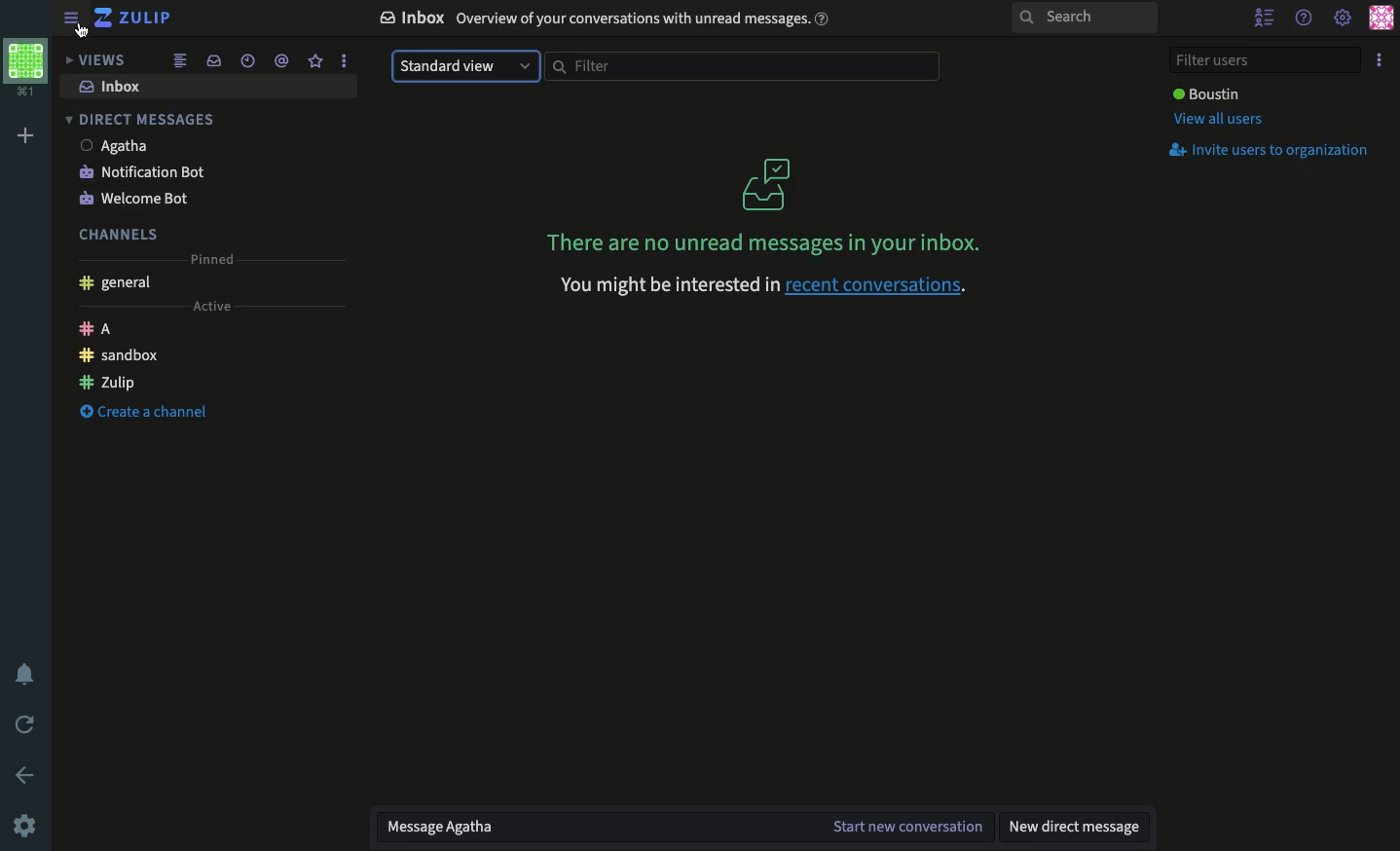  I want to click on Profile, so click(1384, 20).